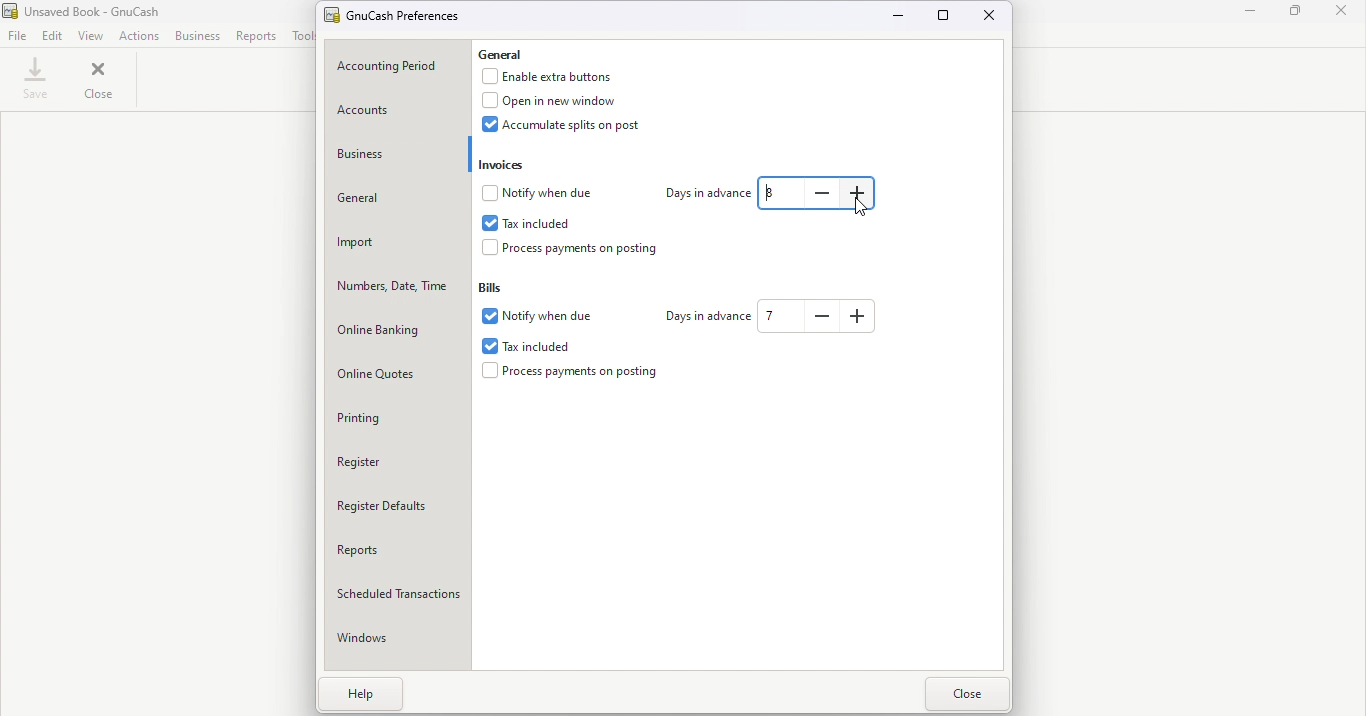  What do you see at coordinates (705, 315) in the screenshot?
I see `Days in advance` at bounding box center [705, 315].